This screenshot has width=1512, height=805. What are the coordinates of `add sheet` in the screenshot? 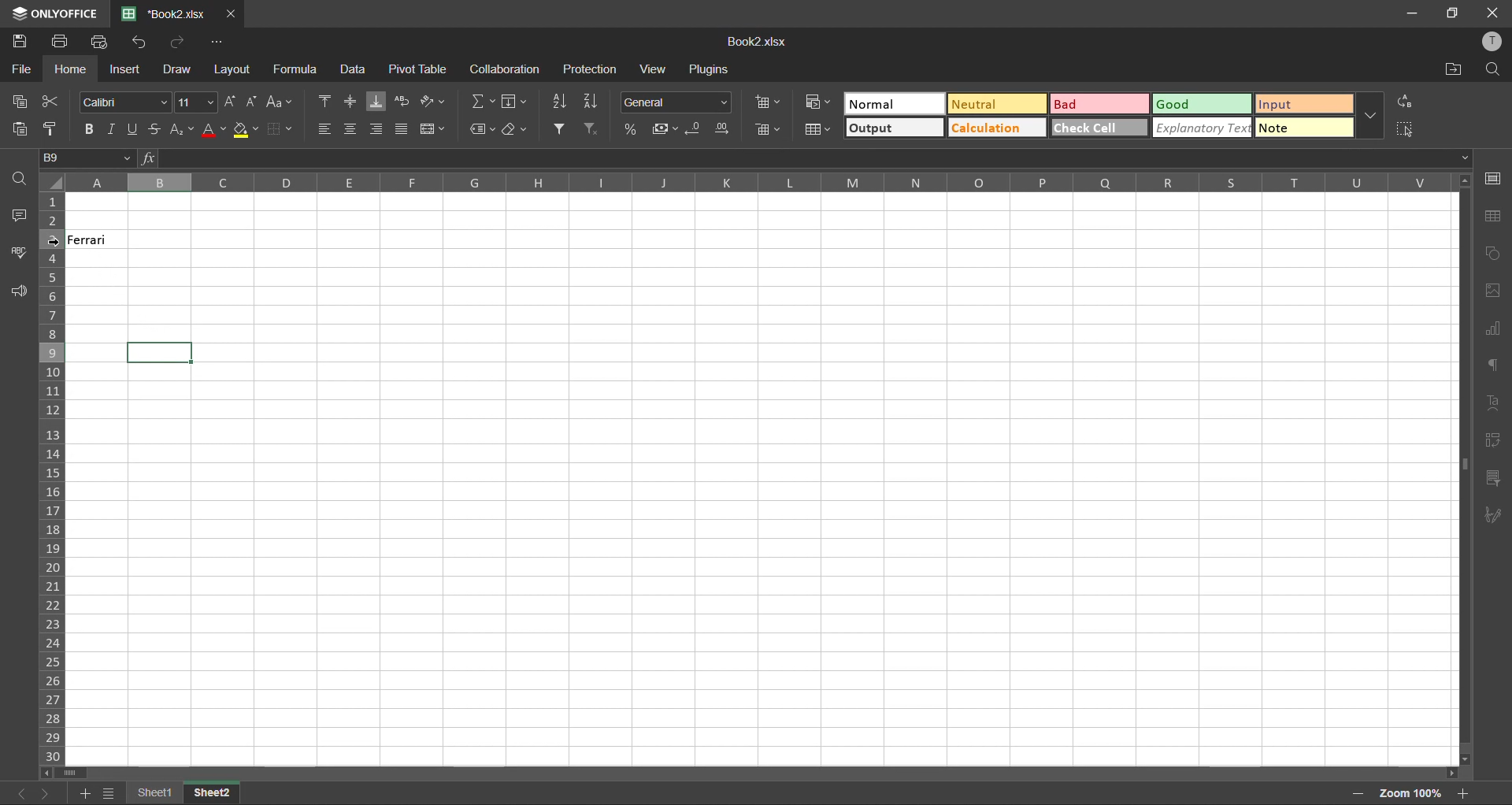 It's located at (87, 792).